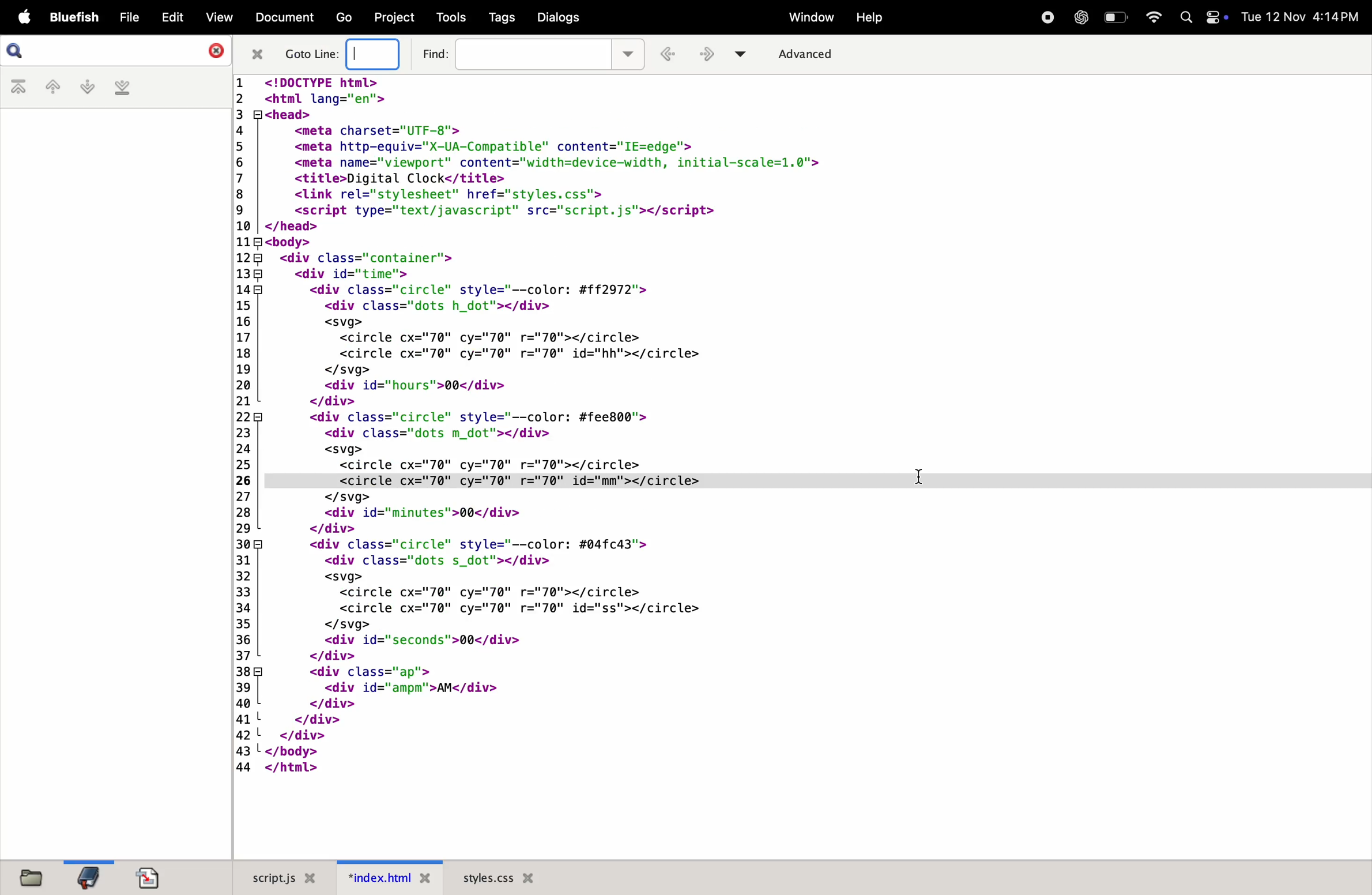  What do you see at coordinates (243, 422) in the screenshot?
I see `line number` at bounding box center [243, 422].